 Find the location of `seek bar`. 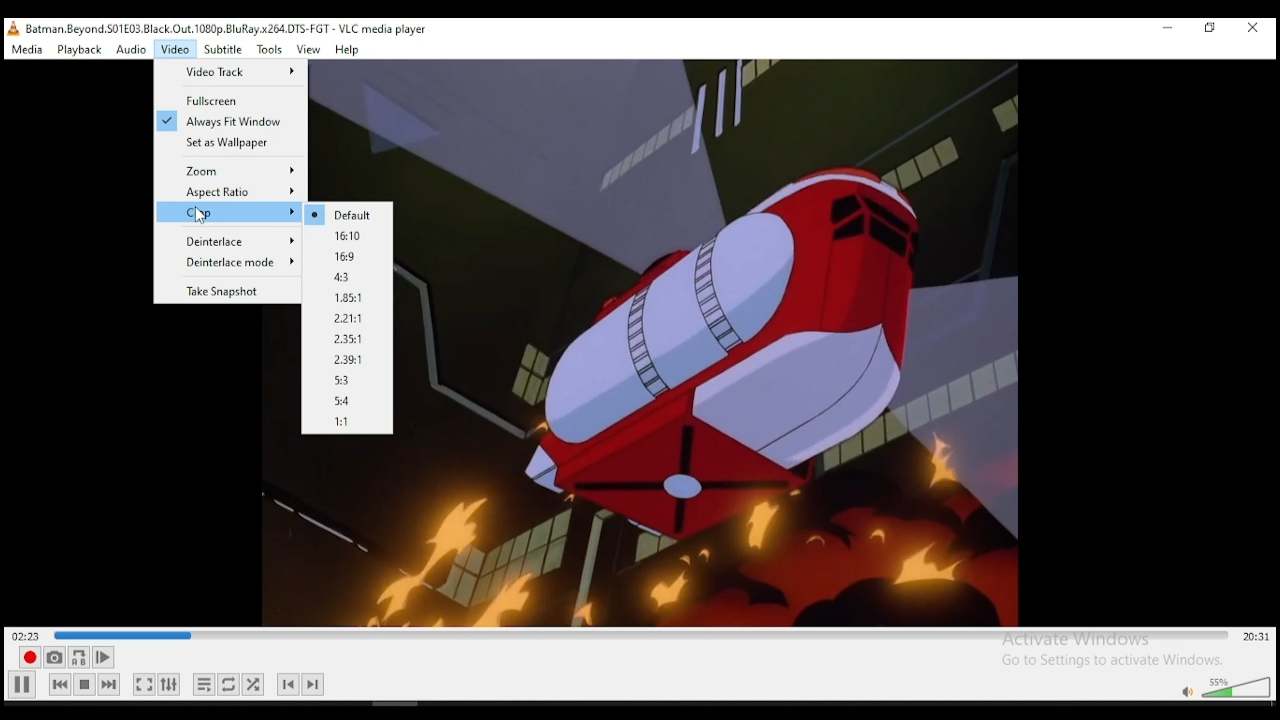

seek bar is located at coordinates (639, 636).